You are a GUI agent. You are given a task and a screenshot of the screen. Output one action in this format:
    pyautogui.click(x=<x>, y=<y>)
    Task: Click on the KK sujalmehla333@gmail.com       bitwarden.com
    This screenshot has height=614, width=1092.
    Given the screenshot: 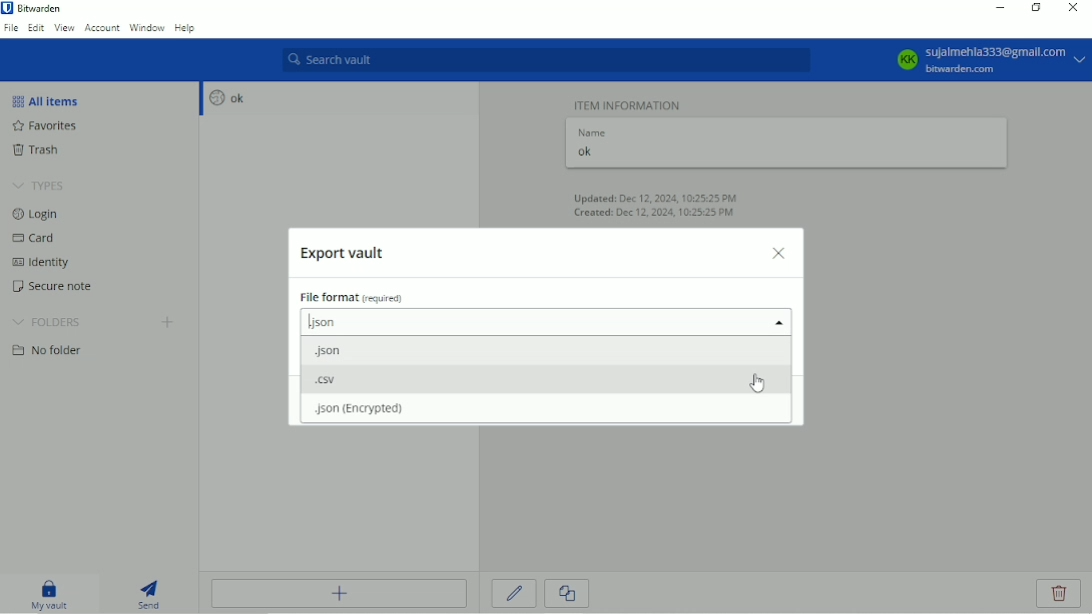 What is the action you would take?
    pyautogui.click(x=988, y=60)
    